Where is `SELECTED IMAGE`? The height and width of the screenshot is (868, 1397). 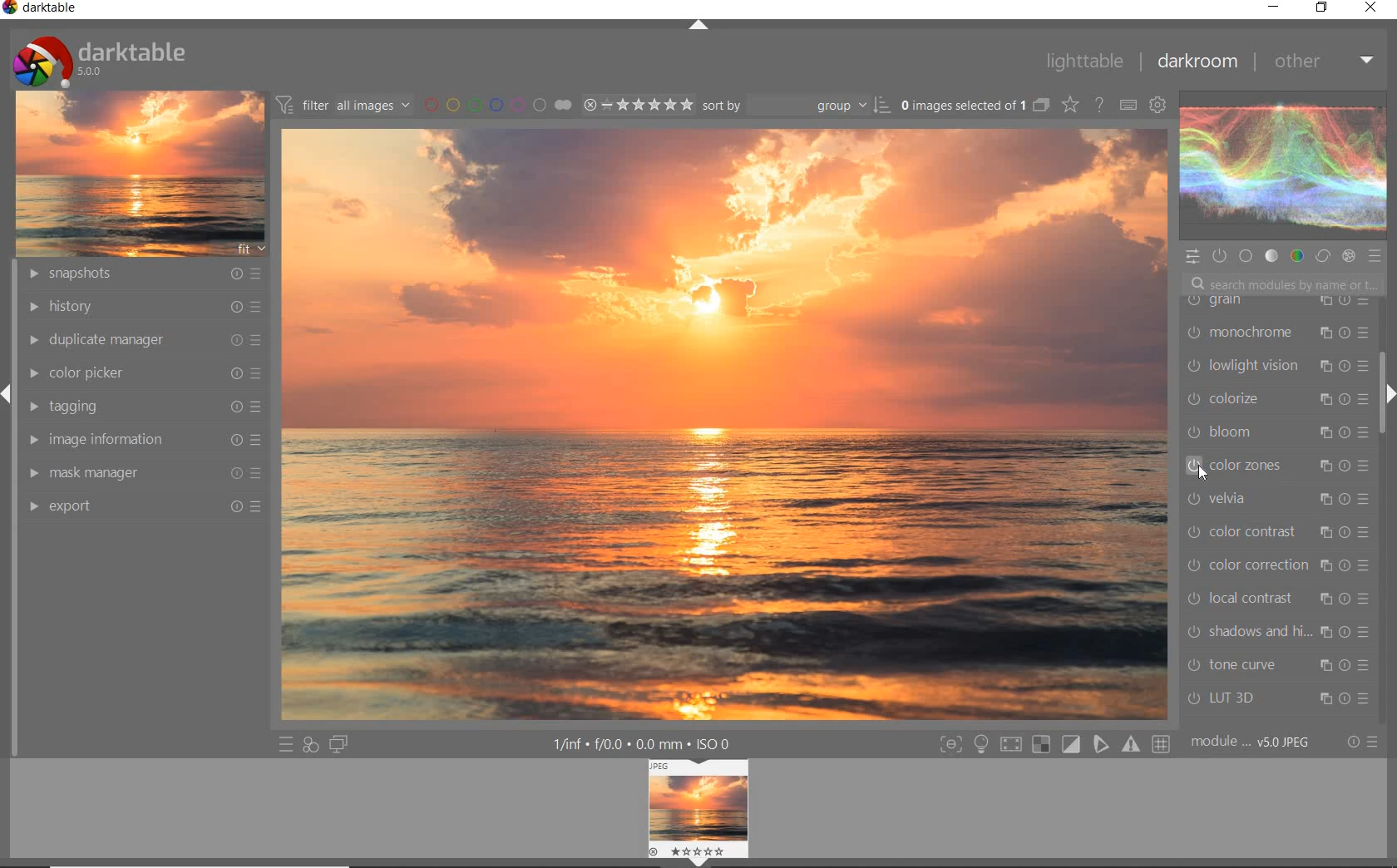 SELECTED IMAGE is located at coordinates (725, 425).